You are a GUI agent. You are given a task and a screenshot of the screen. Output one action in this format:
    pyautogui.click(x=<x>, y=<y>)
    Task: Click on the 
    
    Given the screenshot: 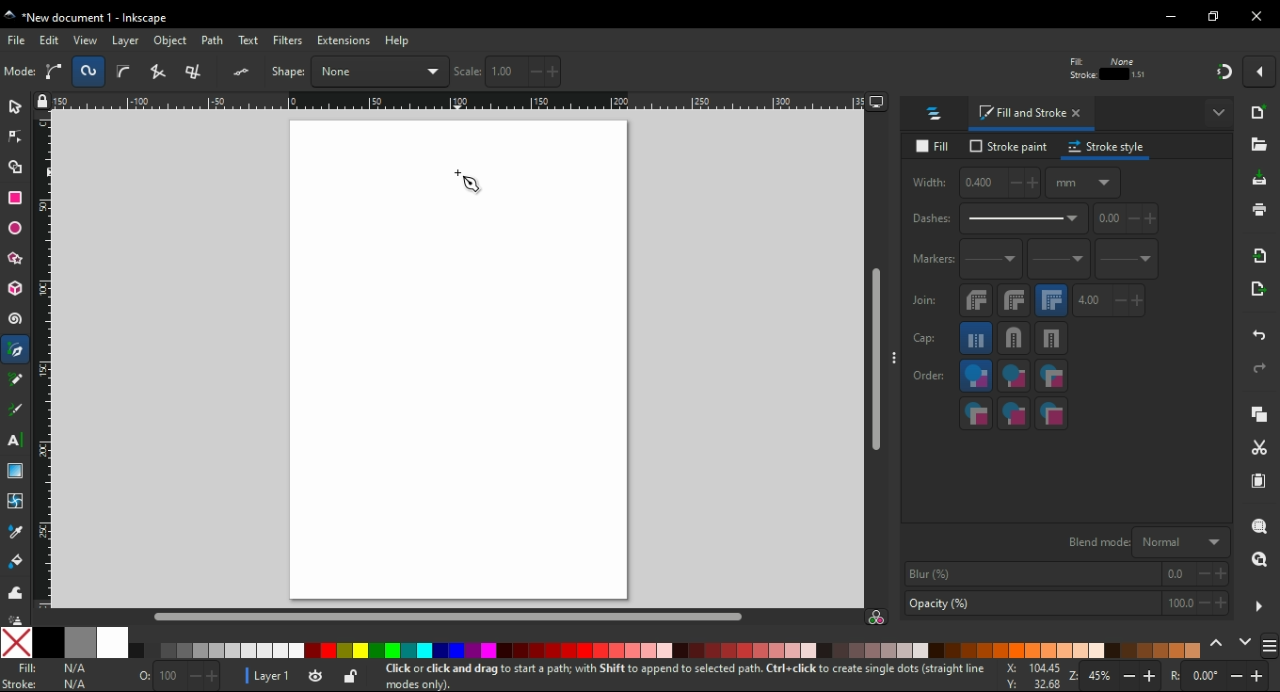 What is the action you would take?
    pyautogui.click(x=1108, y=299)
    